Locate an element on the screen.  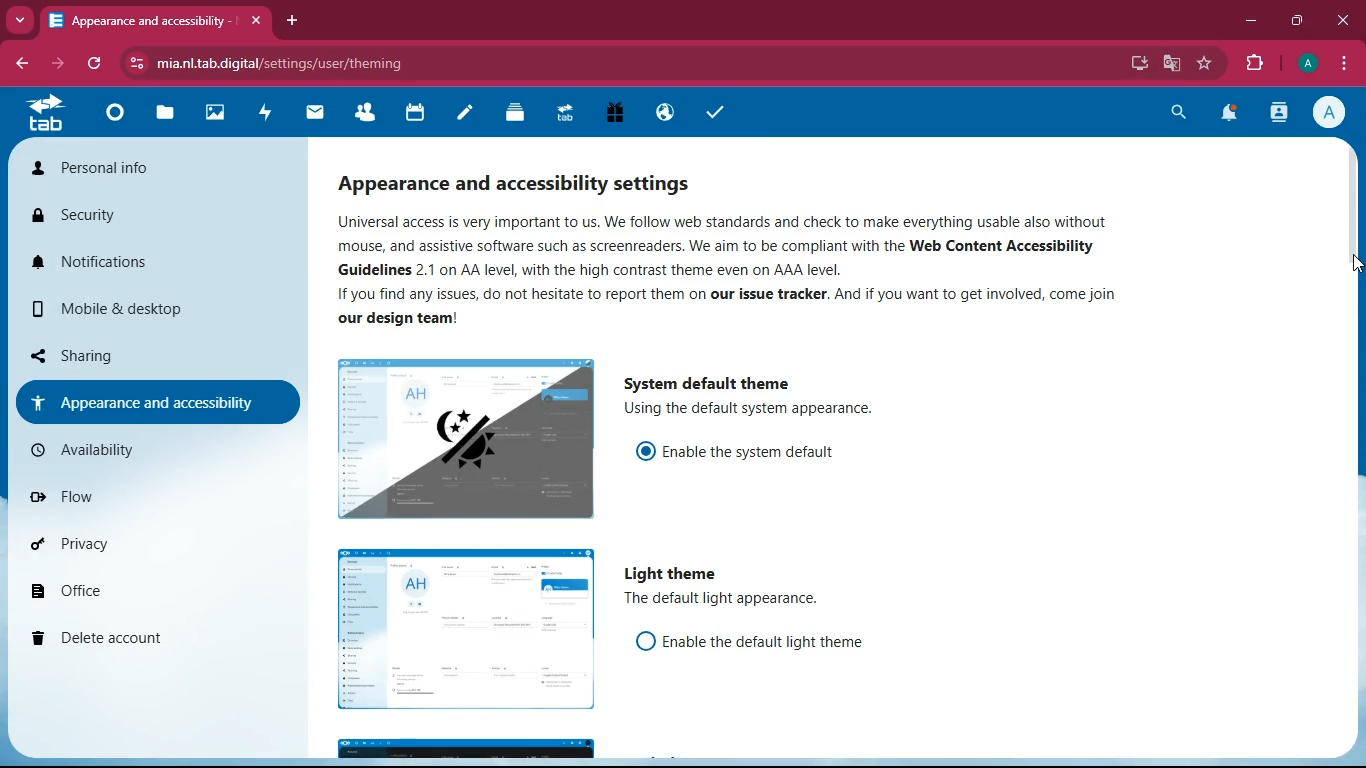
notifications is located at coordinates (144, 262).